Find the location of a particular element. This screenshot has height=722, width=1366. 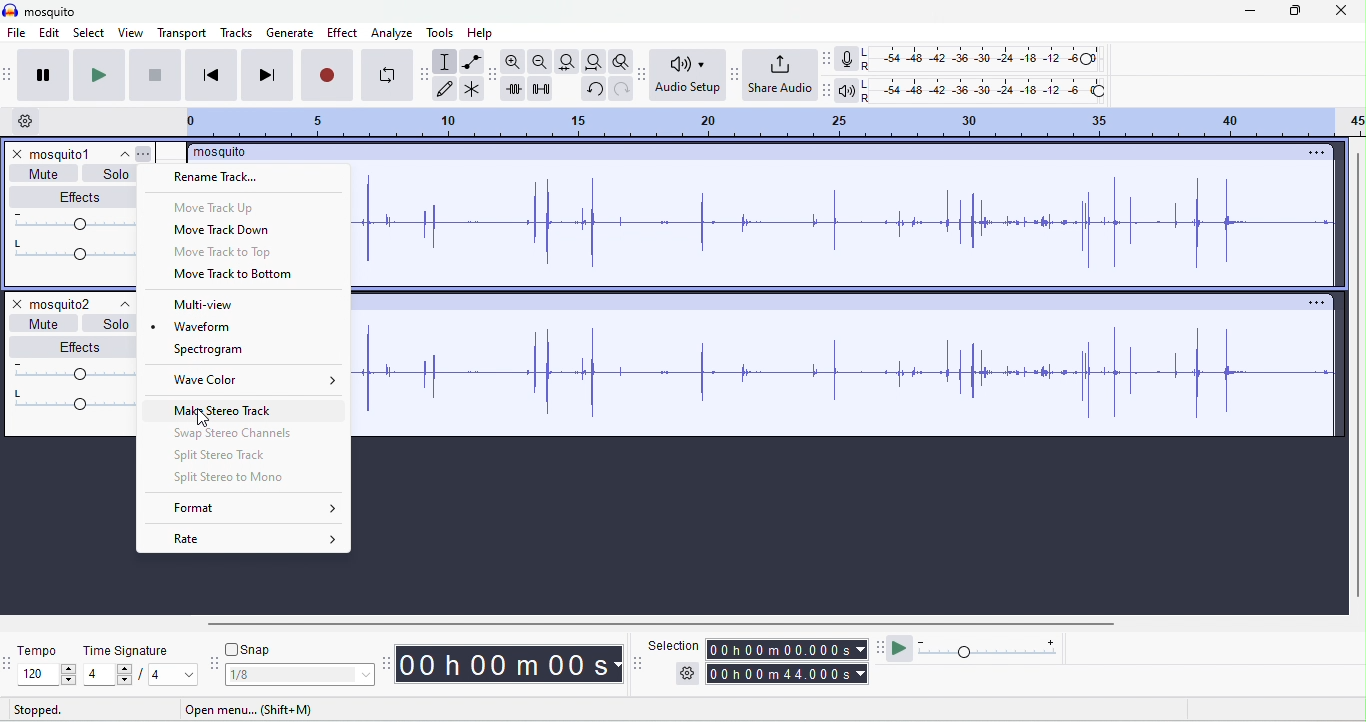

solo is located at coordinates (115, 325).